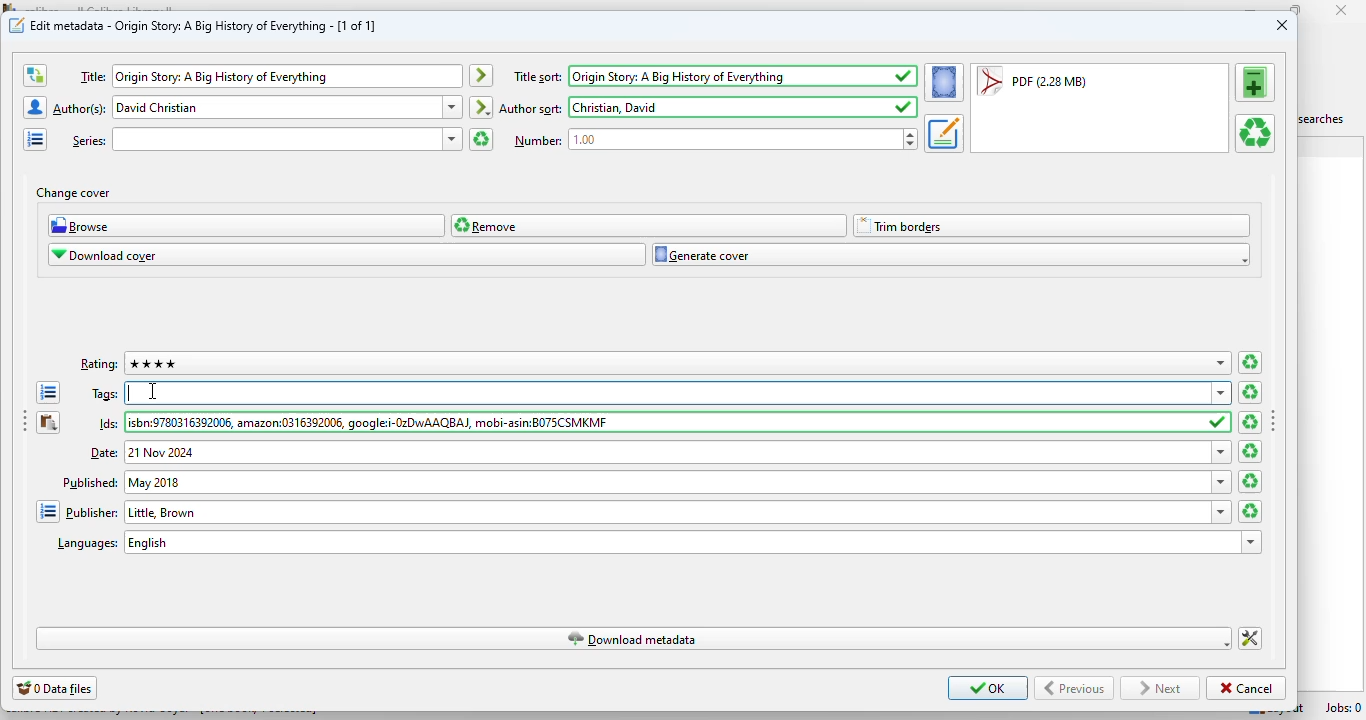 This screenshot has width=1366, height=720. Describe the element at coordinates (678, 542) in the screenshot. I see `languages: english` at that location.